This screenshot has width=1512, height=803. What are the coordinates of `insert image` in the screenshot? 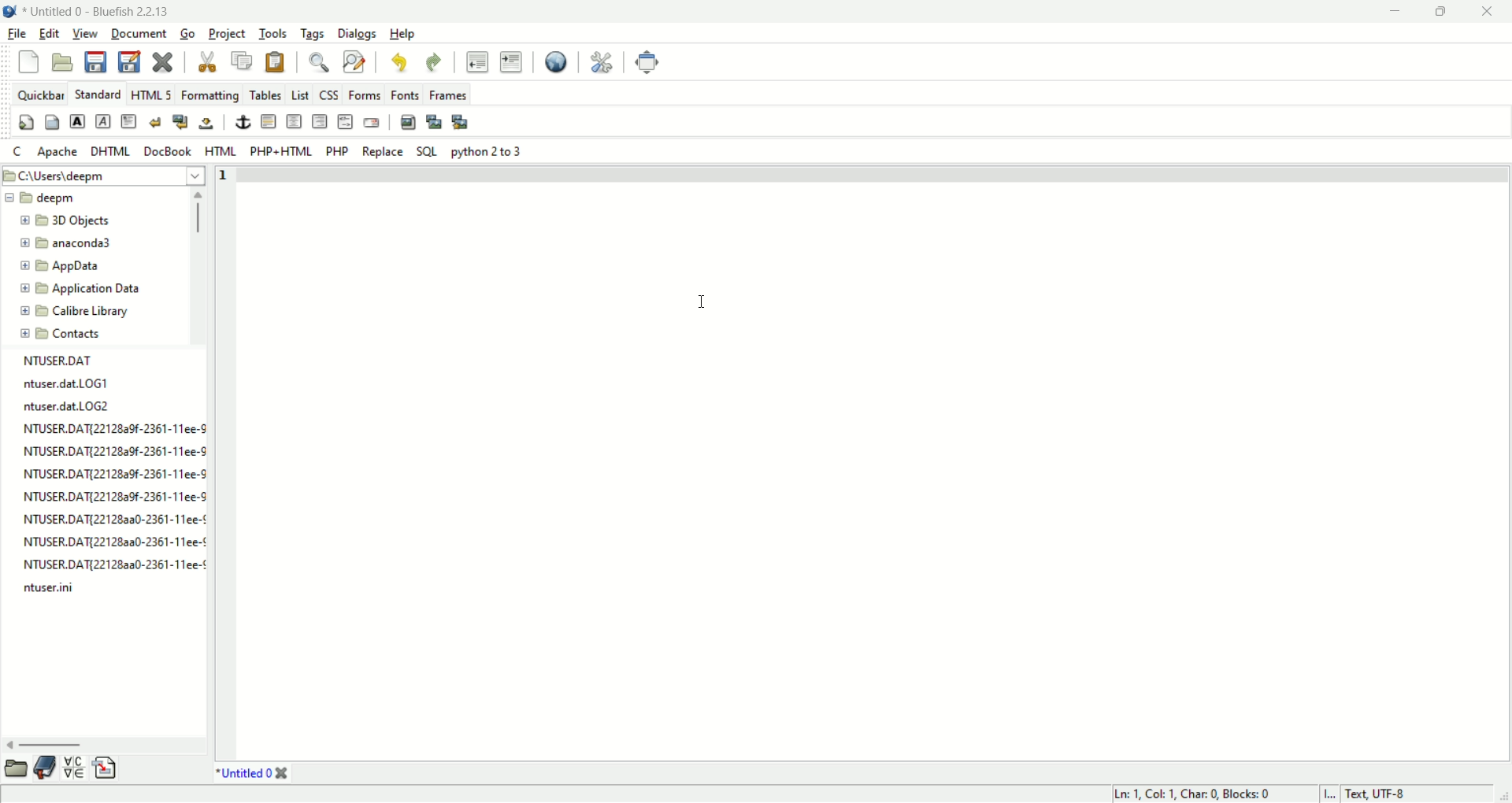 It's located at (407, 122).